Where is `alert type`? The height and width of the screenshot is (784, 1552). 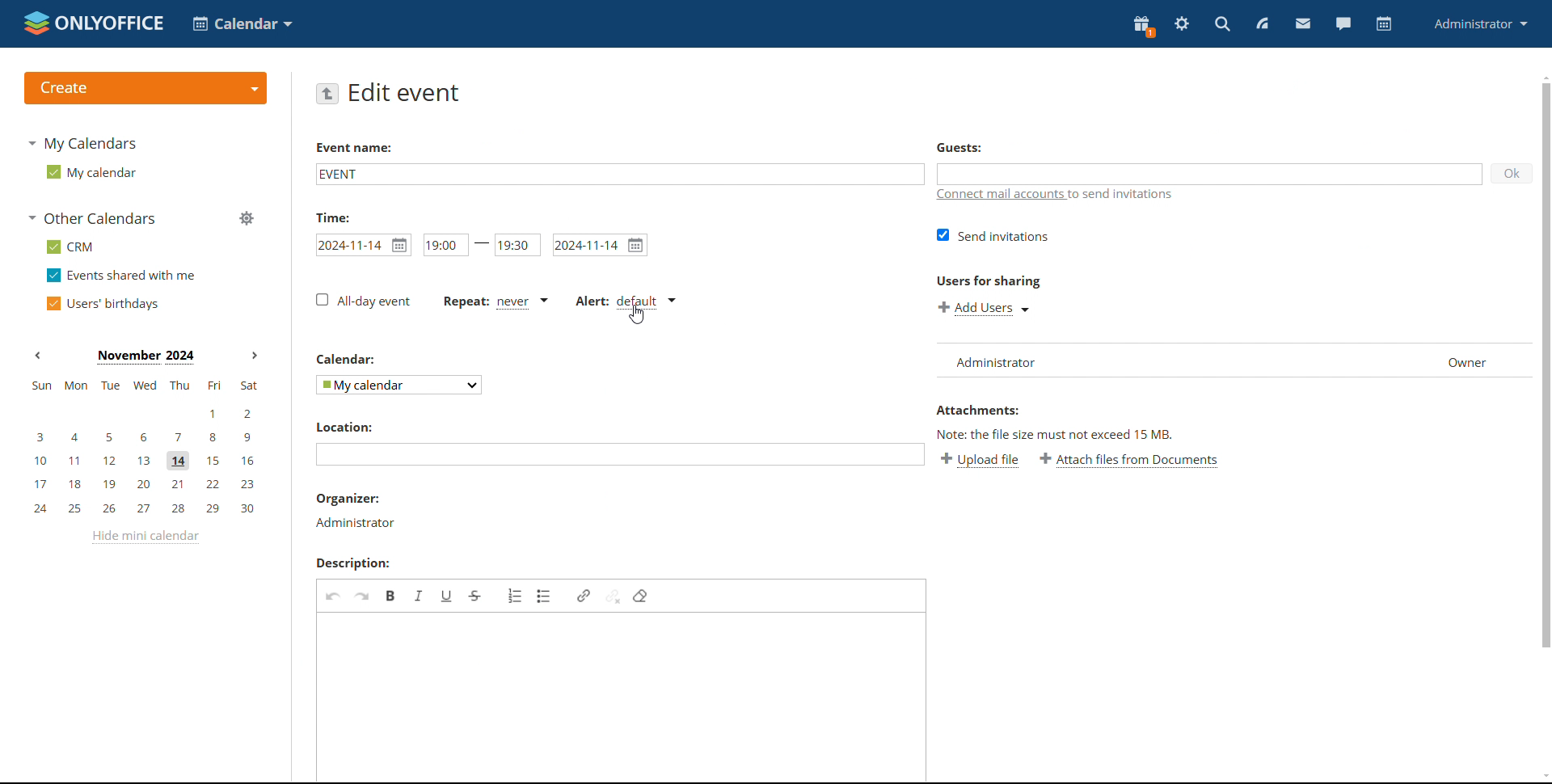 alert type is located at coordinates (625, 301).